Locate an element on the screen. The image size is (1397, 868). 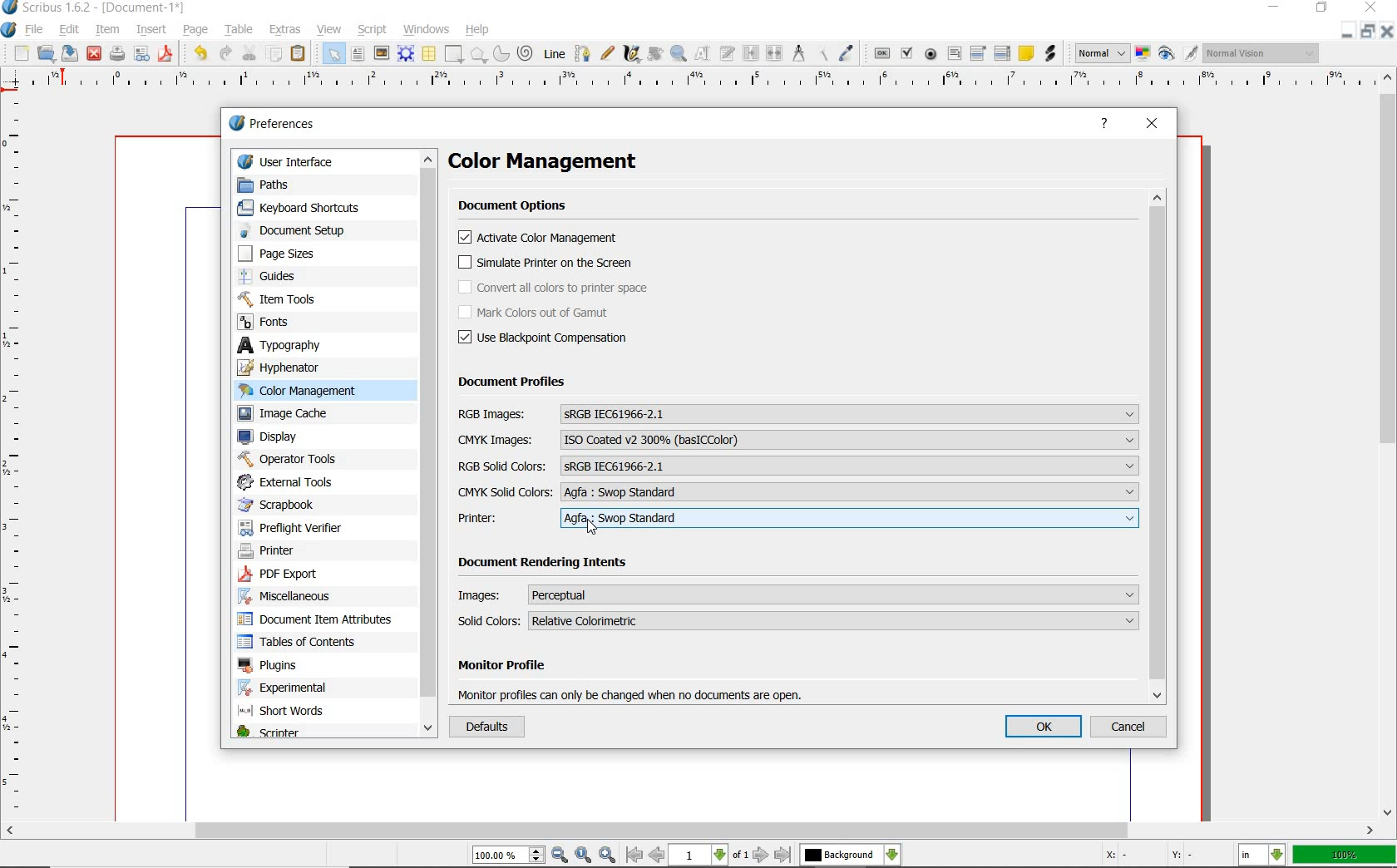
HELP is located at coordinates (1106, 125).